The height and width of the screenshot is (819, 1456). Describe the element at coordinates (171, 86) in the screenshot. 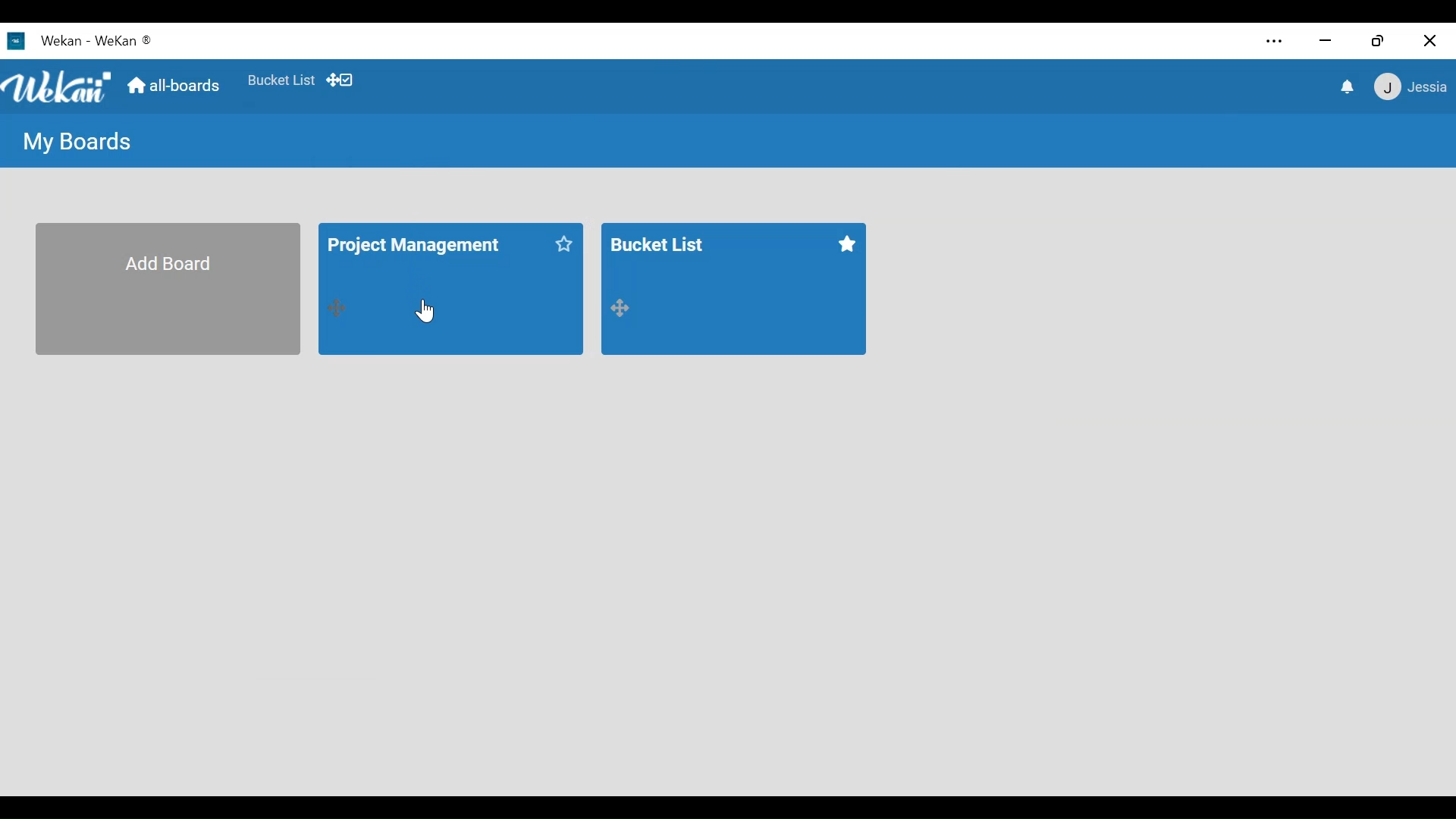

I see `Go to Home View (all-boards)` at that location.